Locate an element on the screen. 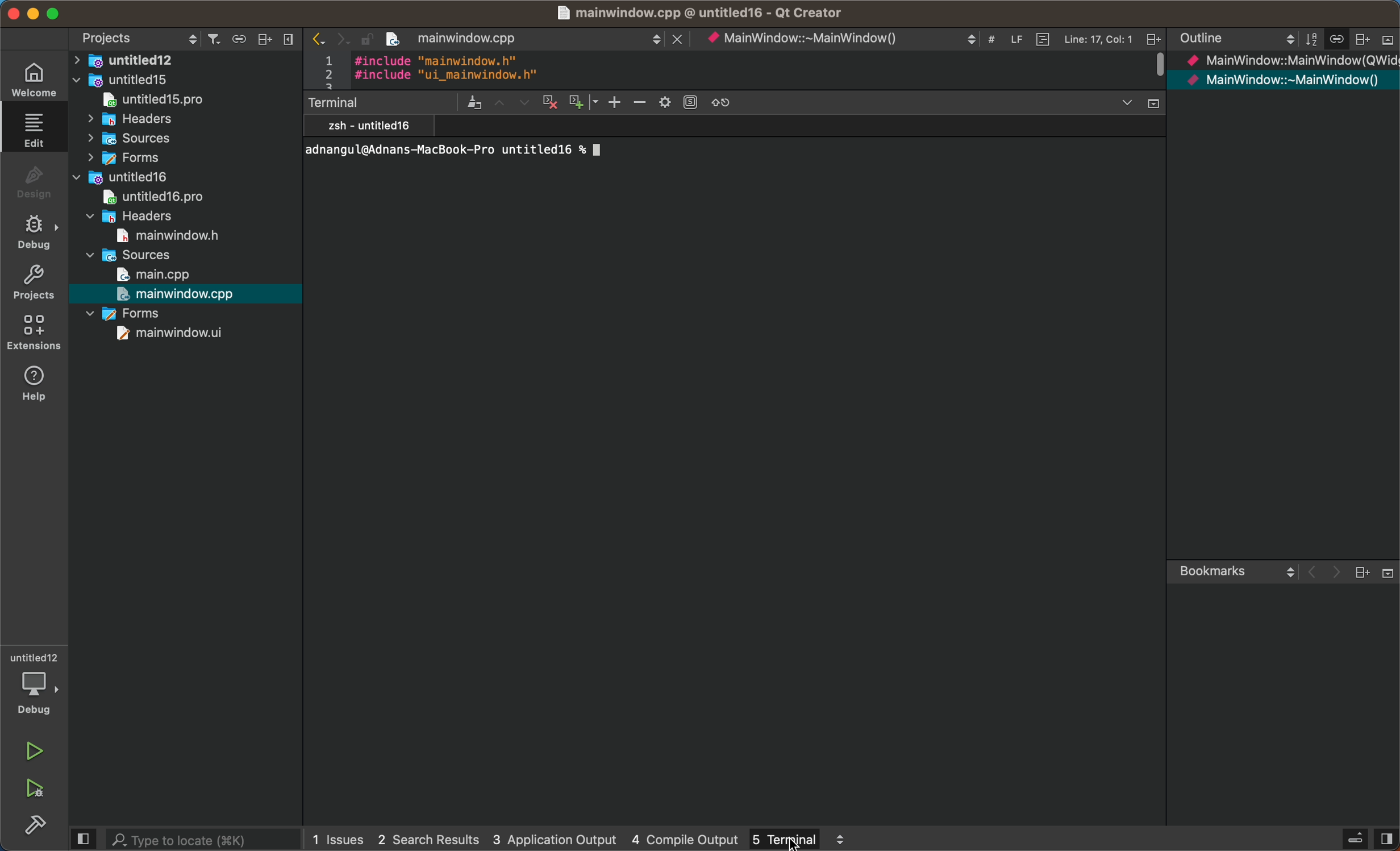  file is located at coordinates (165, 198).